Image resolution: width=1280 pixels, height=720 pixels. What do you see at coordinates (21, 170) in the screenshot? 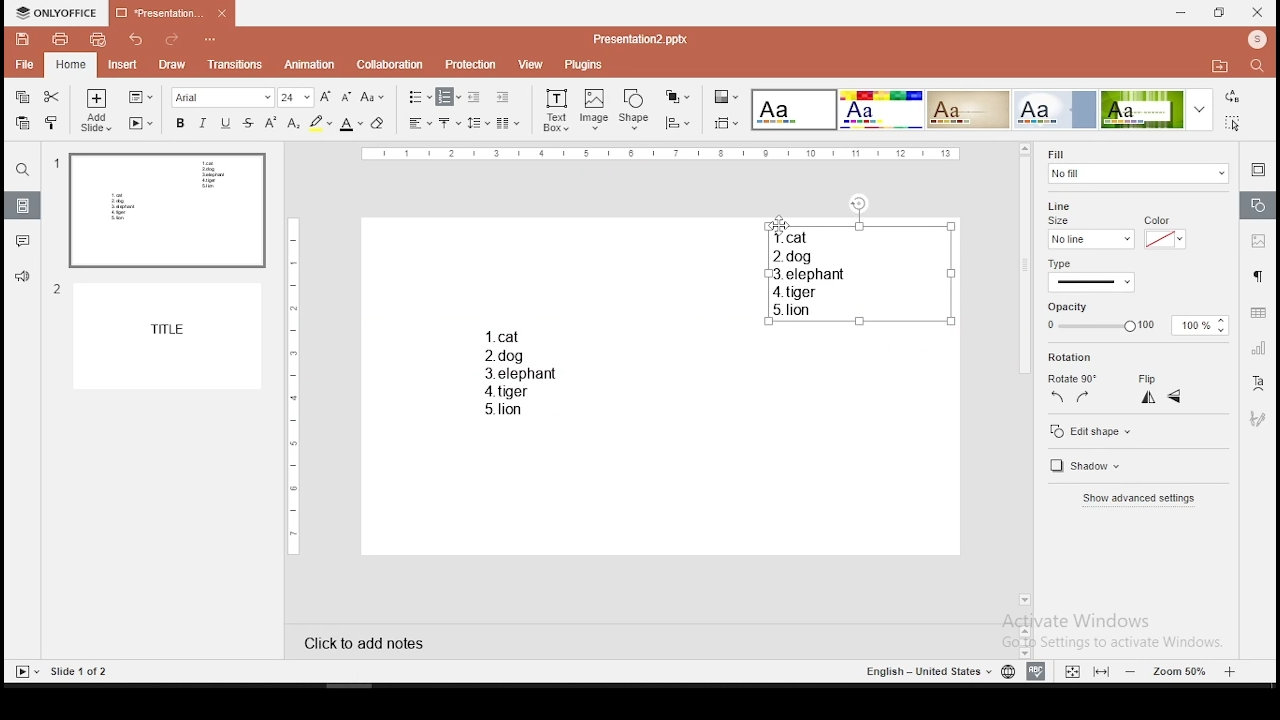
I see `find` at bounding box center [21, 170].